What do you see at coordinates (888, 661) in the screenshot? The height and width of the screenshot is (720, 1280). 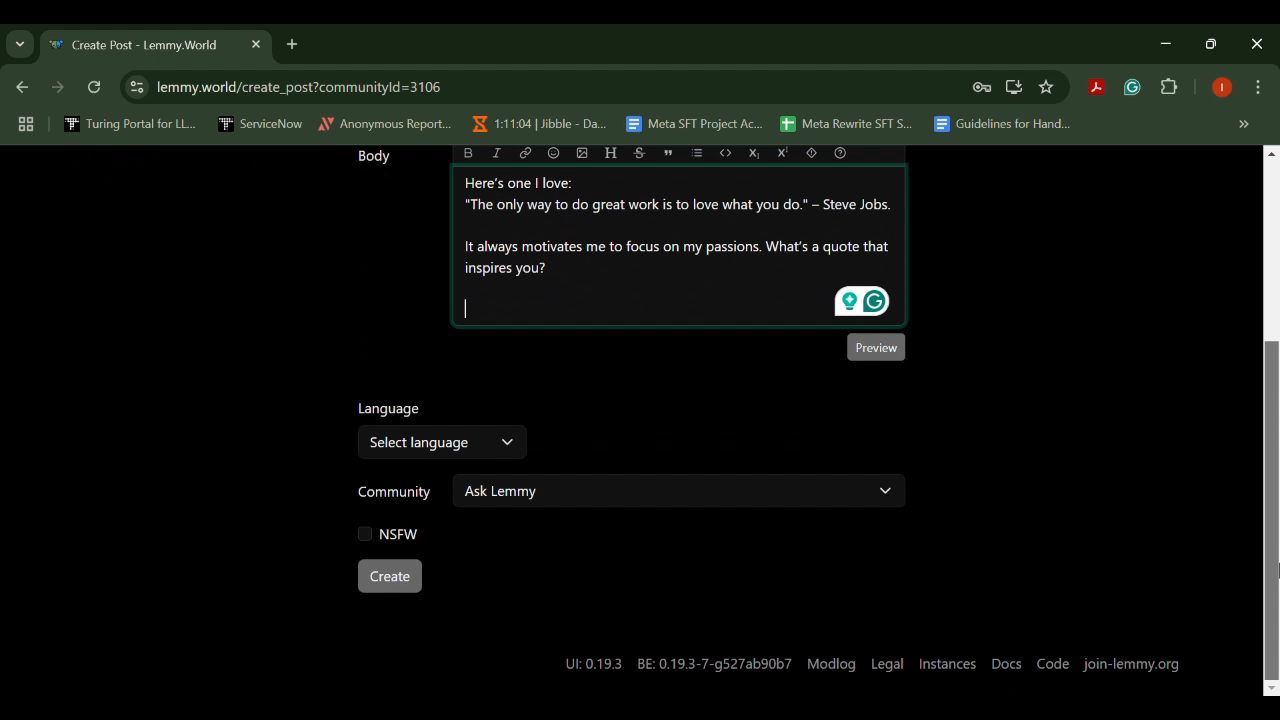 I see `Legal` at bounding box center [888, 661].